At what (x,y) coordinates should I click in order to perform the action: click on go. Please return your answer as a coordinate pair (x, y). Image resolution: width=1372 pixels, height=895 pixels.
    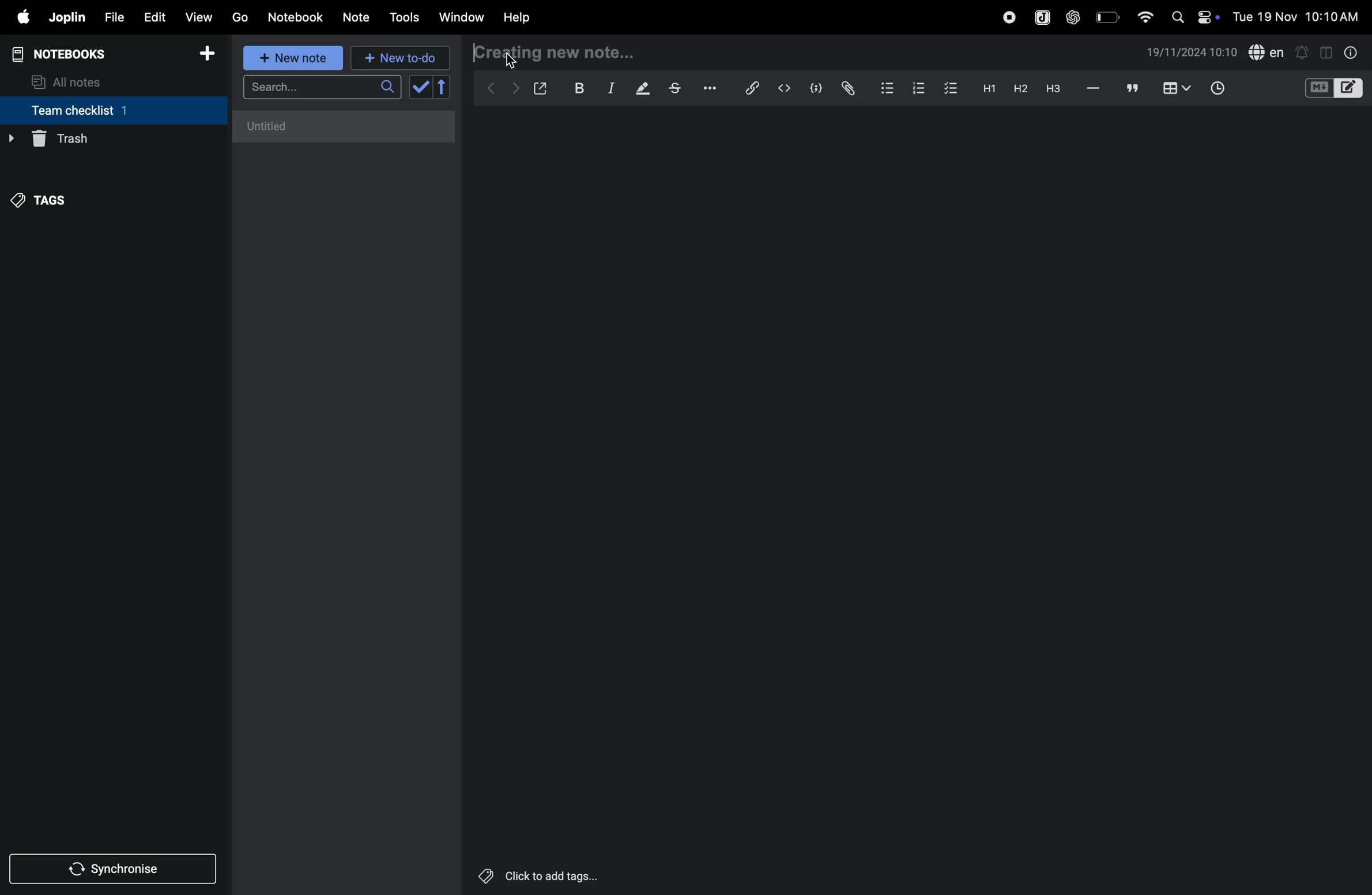
    Looking at the image, I should click on (240, 18).